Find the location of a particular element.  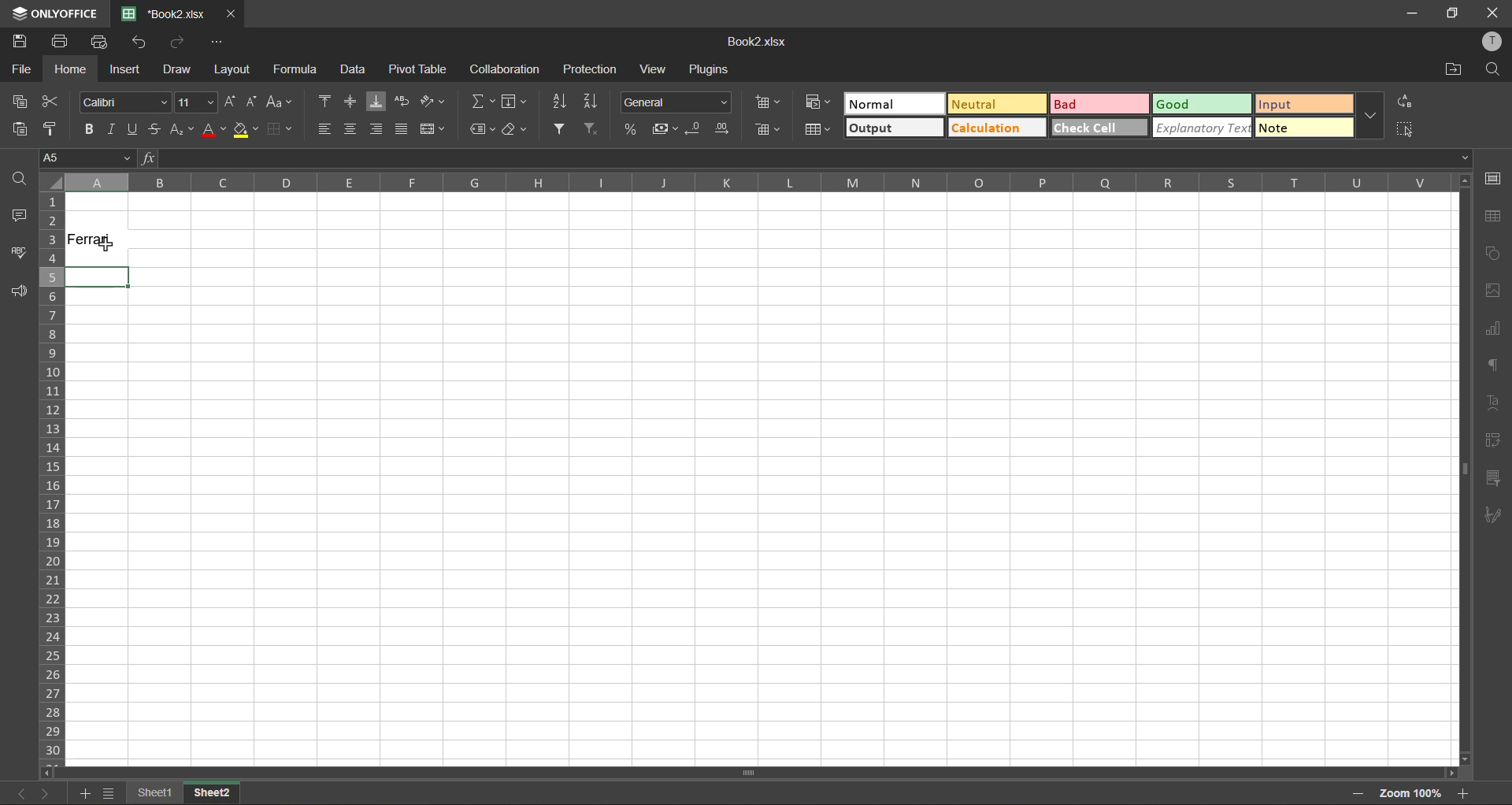

layout is located at coordinates (233, 68).